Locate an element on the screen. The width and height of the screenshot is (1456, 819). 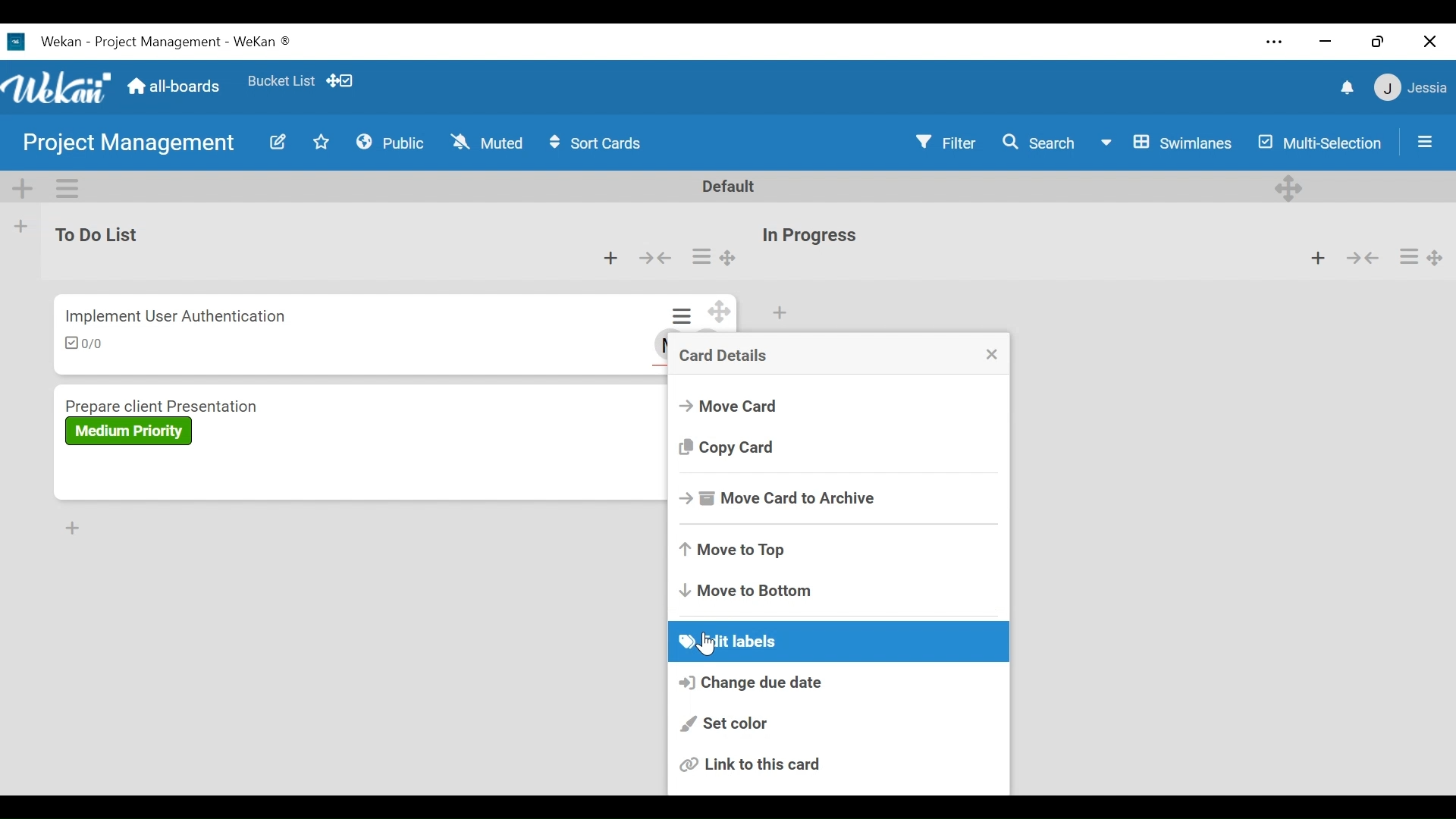
List Title is located at coordinates (808, 237).